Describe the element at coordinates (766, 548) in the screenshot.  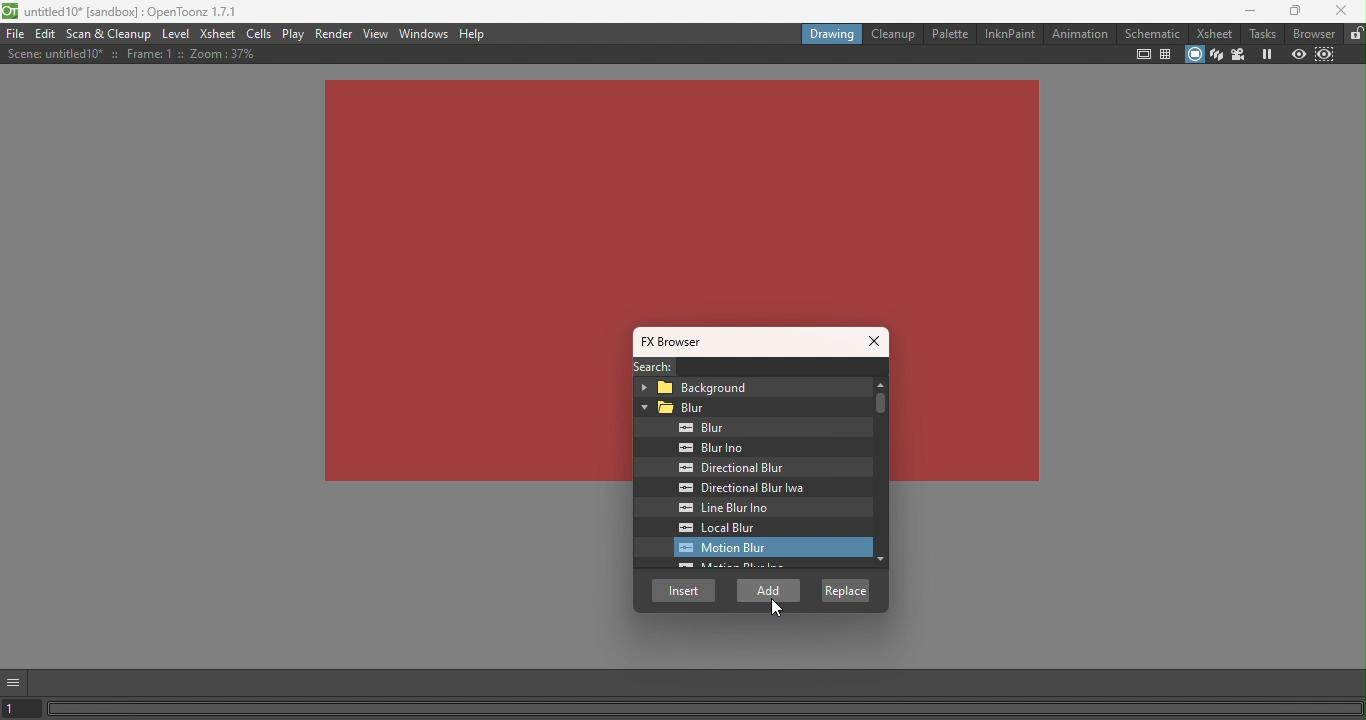
I see `selected Motion blur` at that location.